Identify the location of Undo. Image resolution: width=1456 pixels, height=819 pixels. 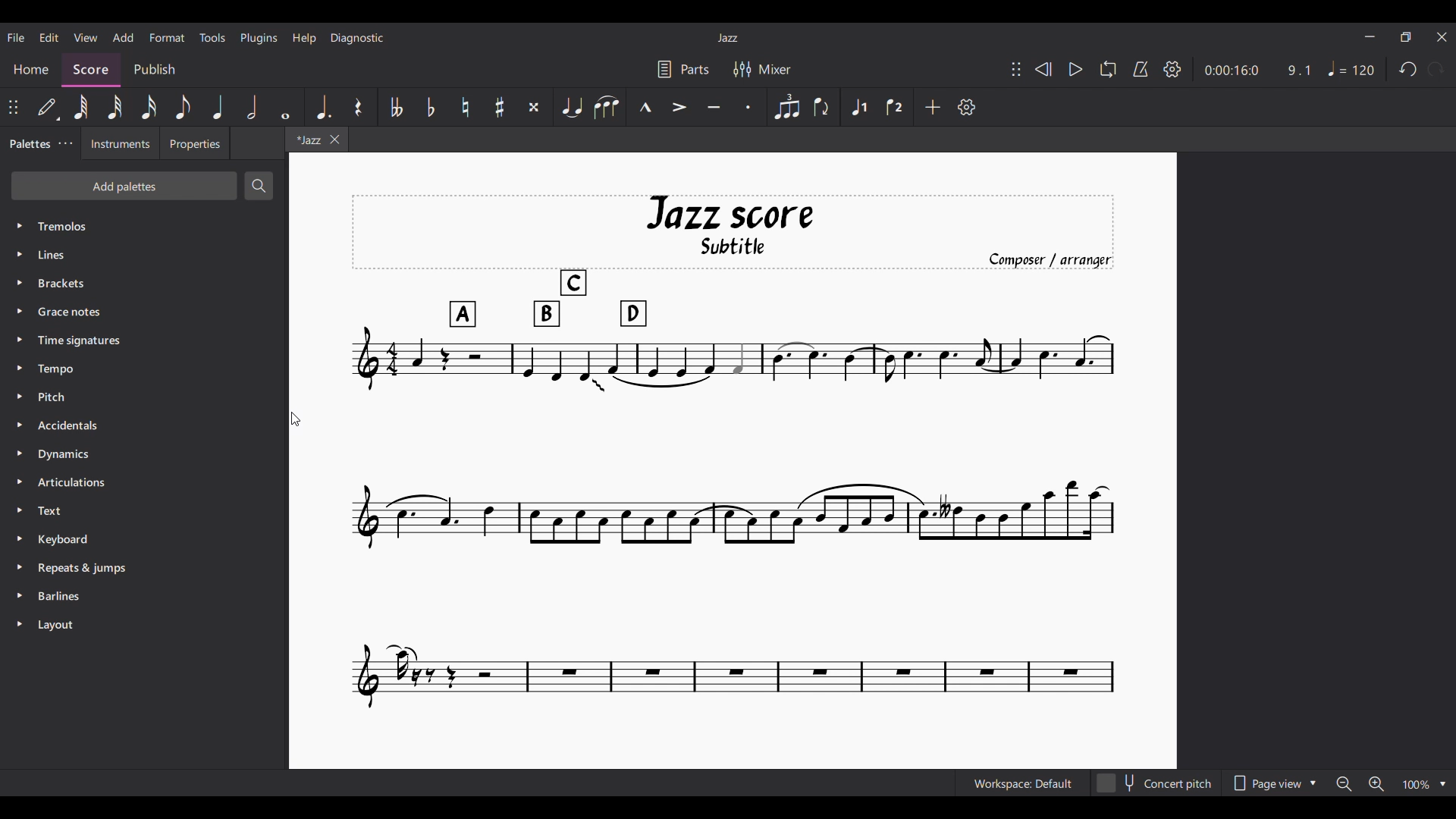
(1408, 70).